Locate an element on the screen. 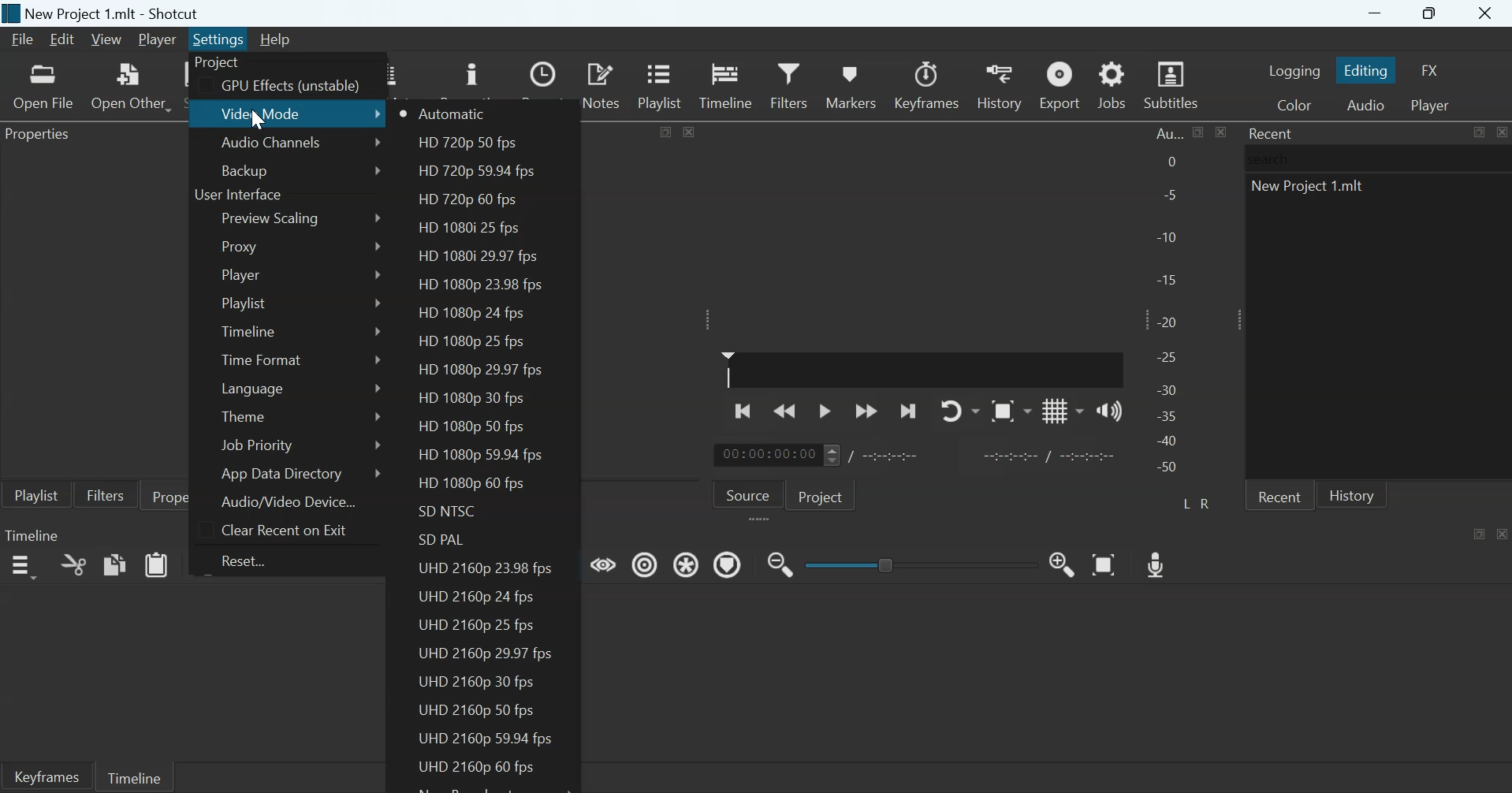 This screenshot has height=793, width=1512. Language is located at coordinates (253, 388).